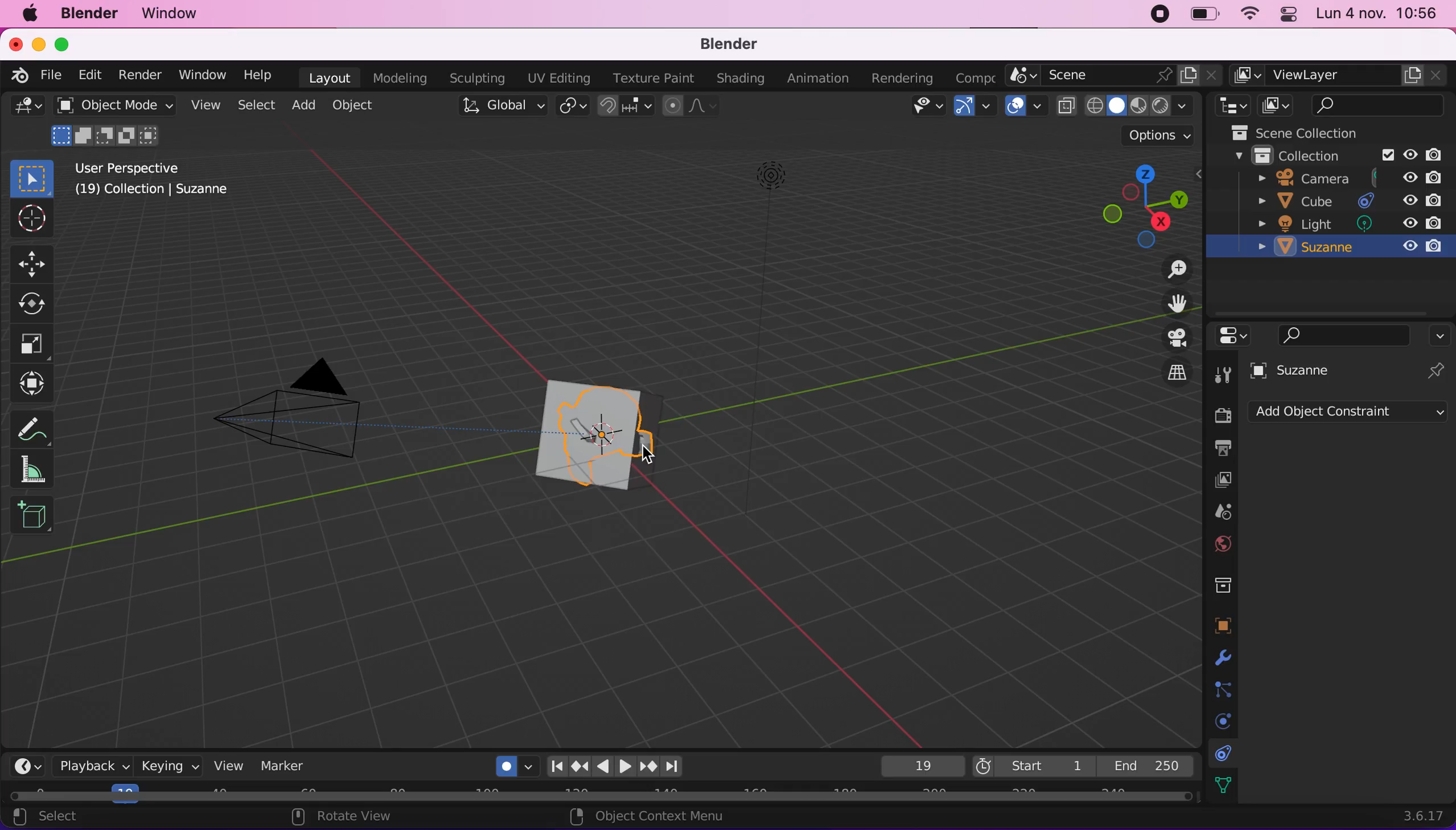  I want to click on render, so click(1220, 416).